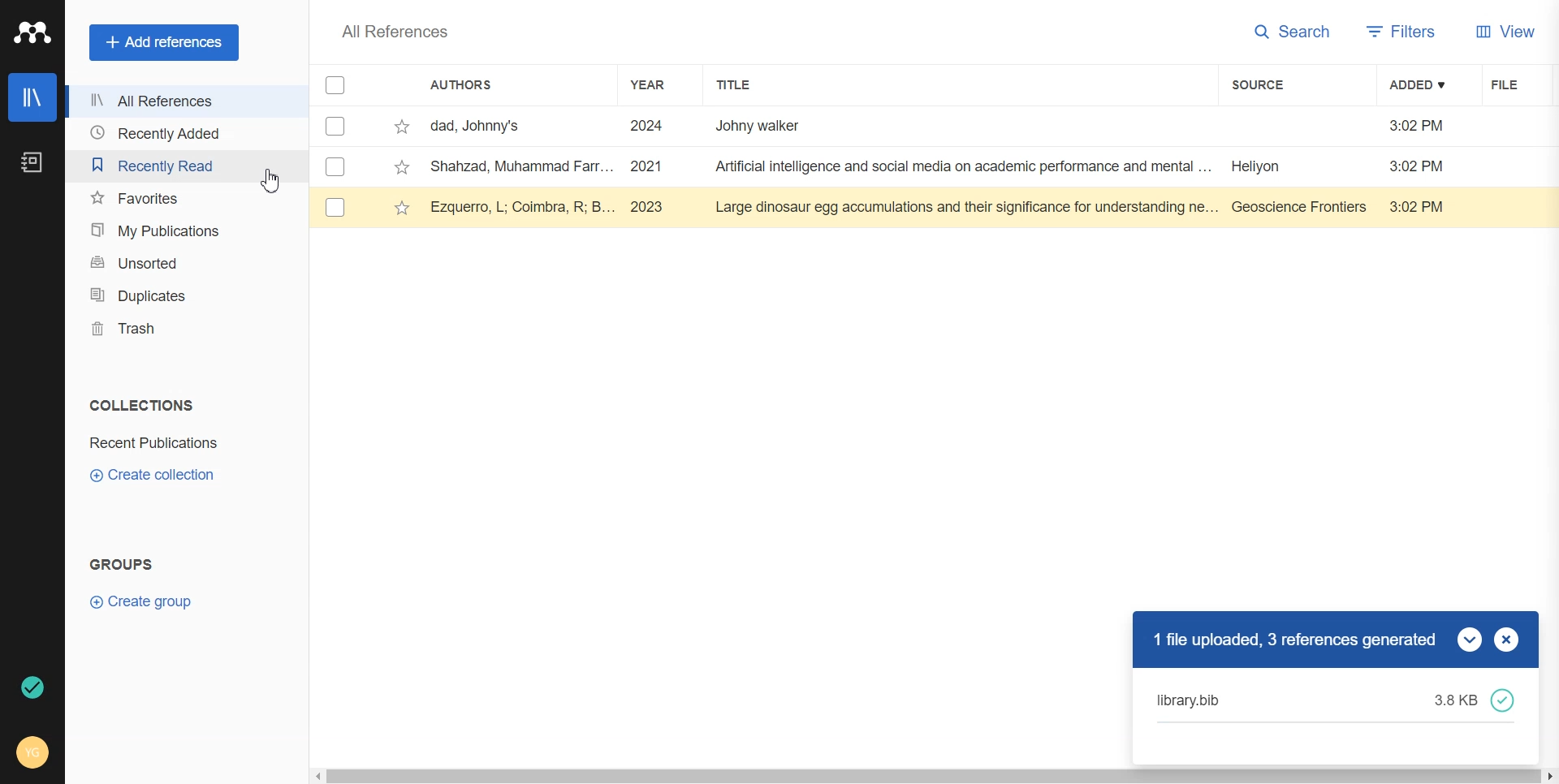 This screenshot has width=1559, height=784. What do you see at coordinates (166, 43) in the screenshot?
I see `Add references` at bounding box center [166, 43].